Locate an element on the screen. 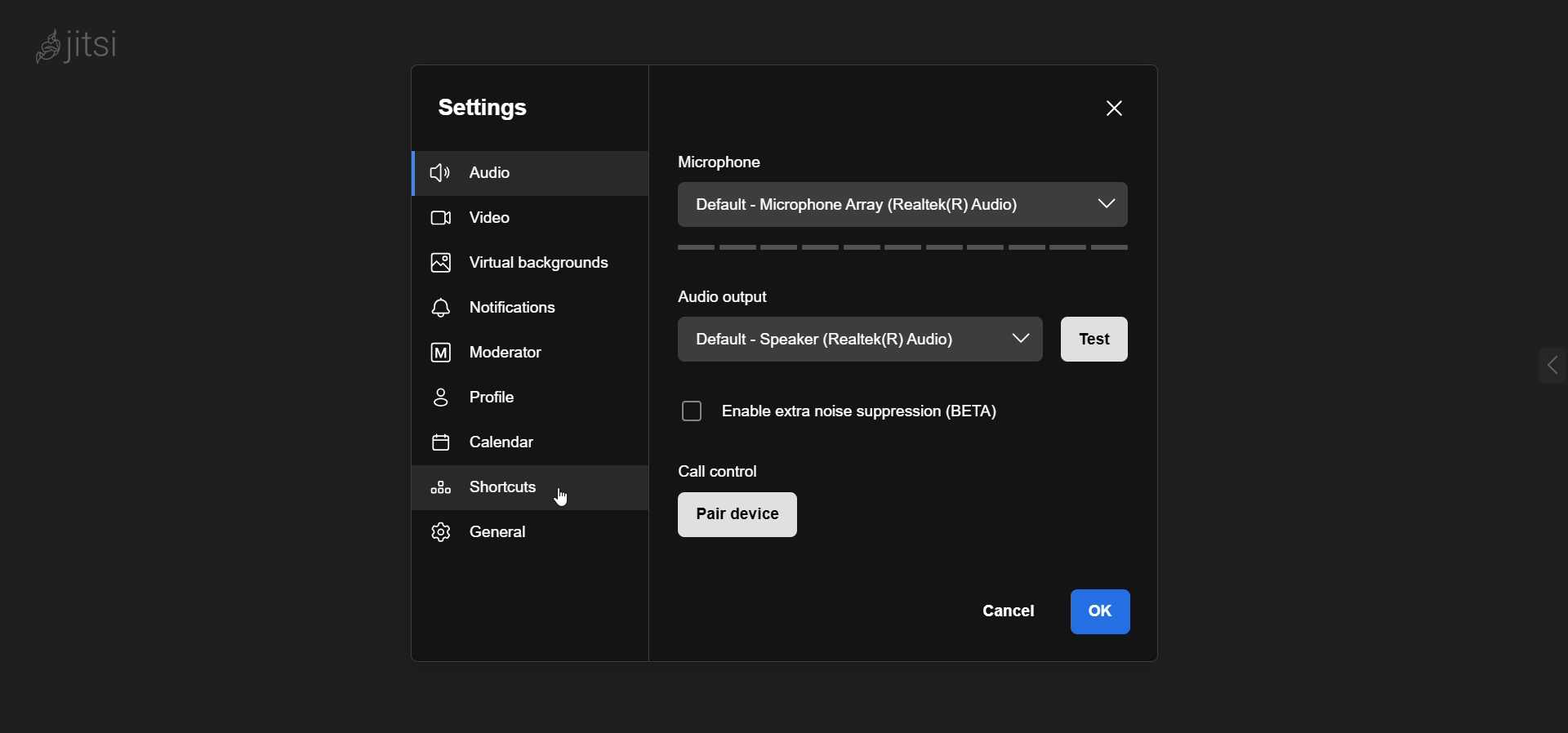 This screenshot has width=1568, height=733. drop down is located at coordinates (1022, 335).